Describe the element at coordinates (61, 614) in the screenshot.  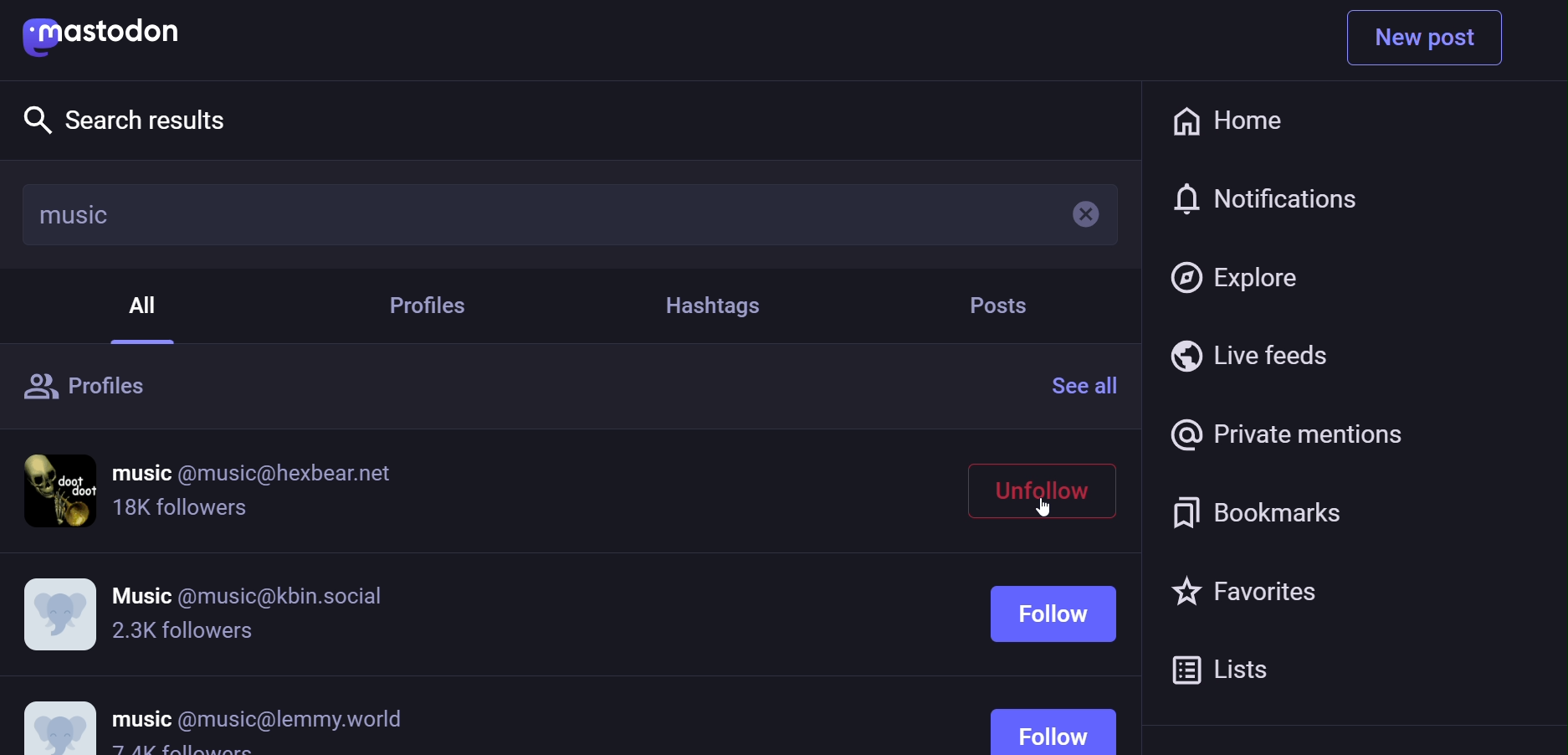
I see `display picture` at that location.